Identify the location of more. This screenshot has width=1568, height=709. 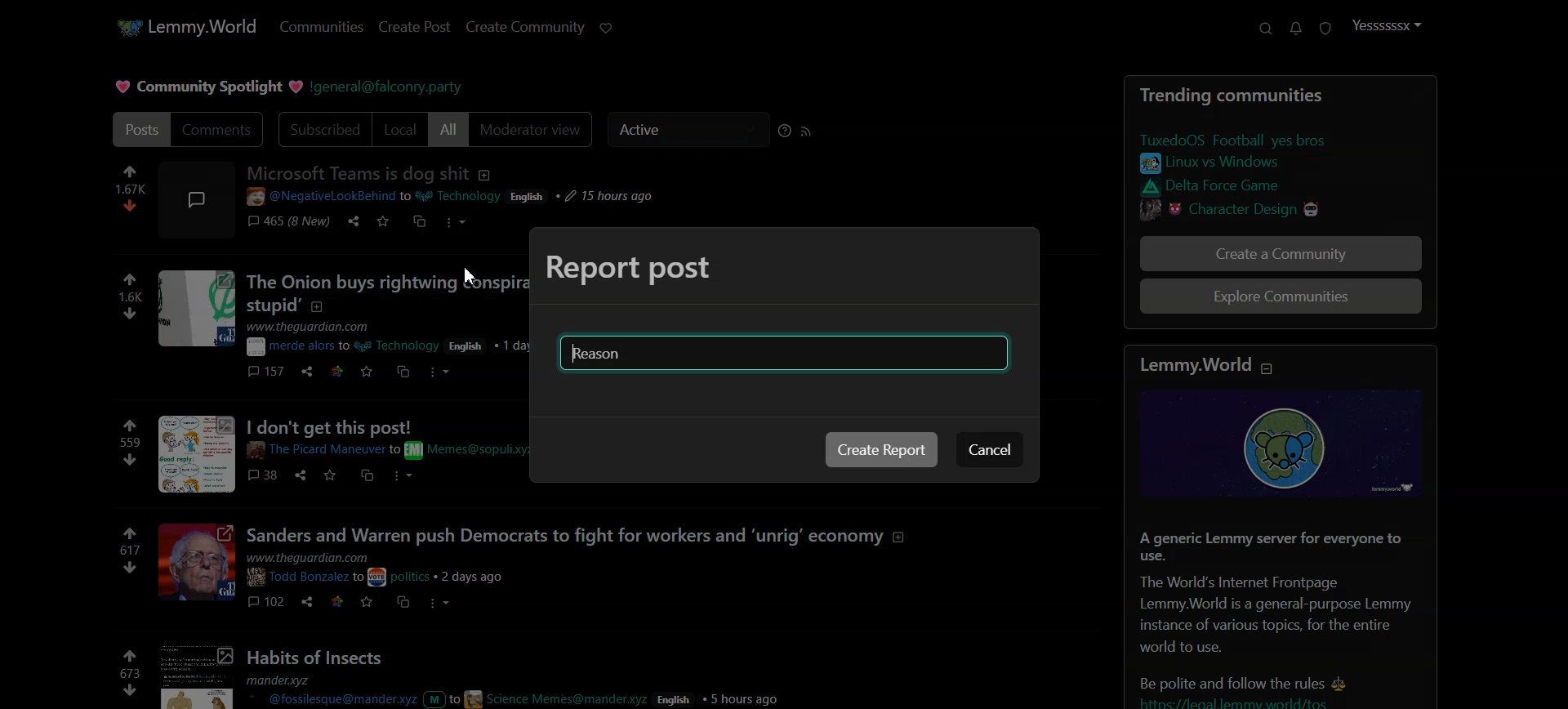
(403, 475).